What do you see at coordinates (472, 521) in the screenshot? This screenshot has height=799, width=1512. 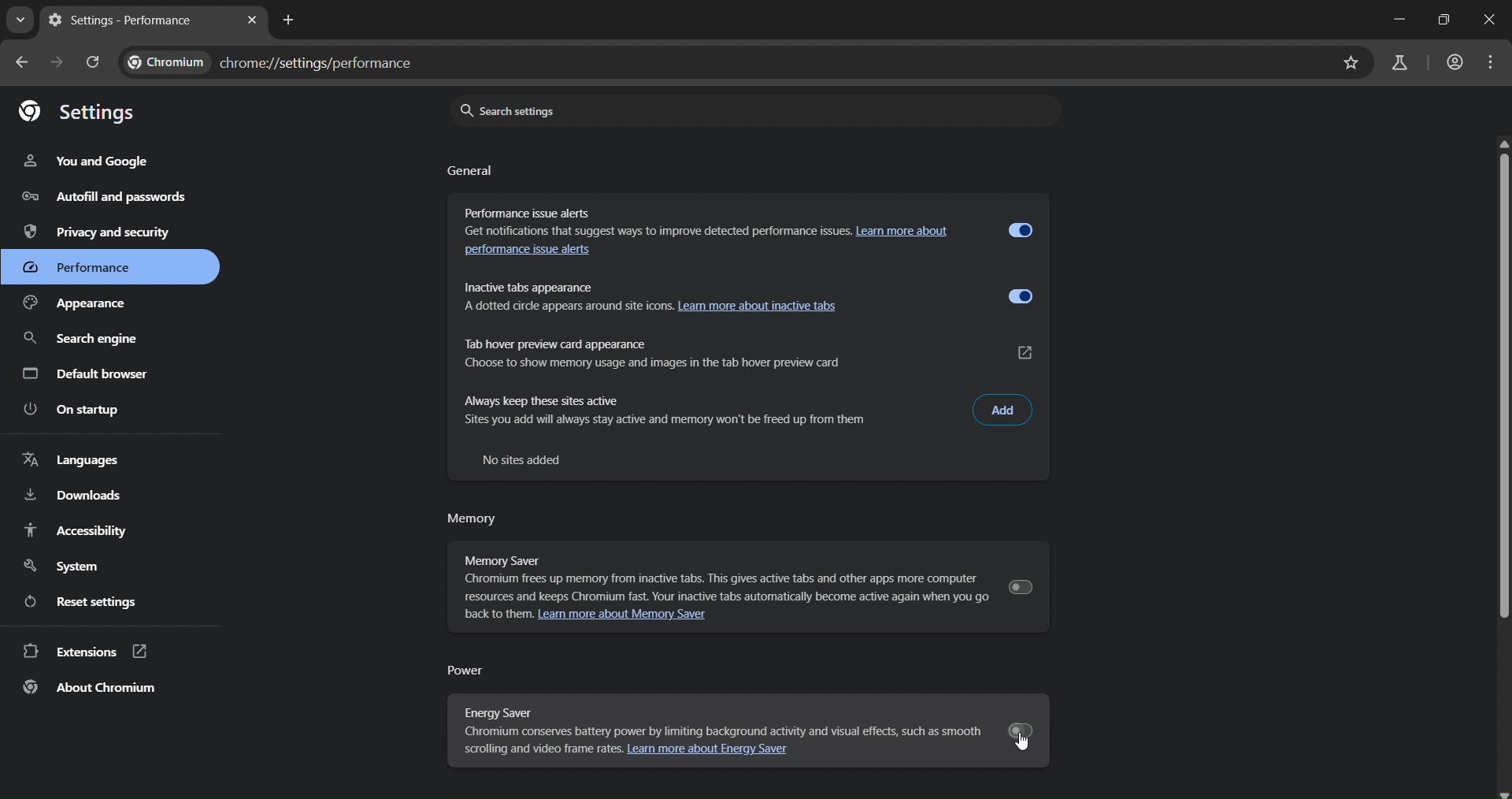 I see `memory ` at bounding box center [472, 521].